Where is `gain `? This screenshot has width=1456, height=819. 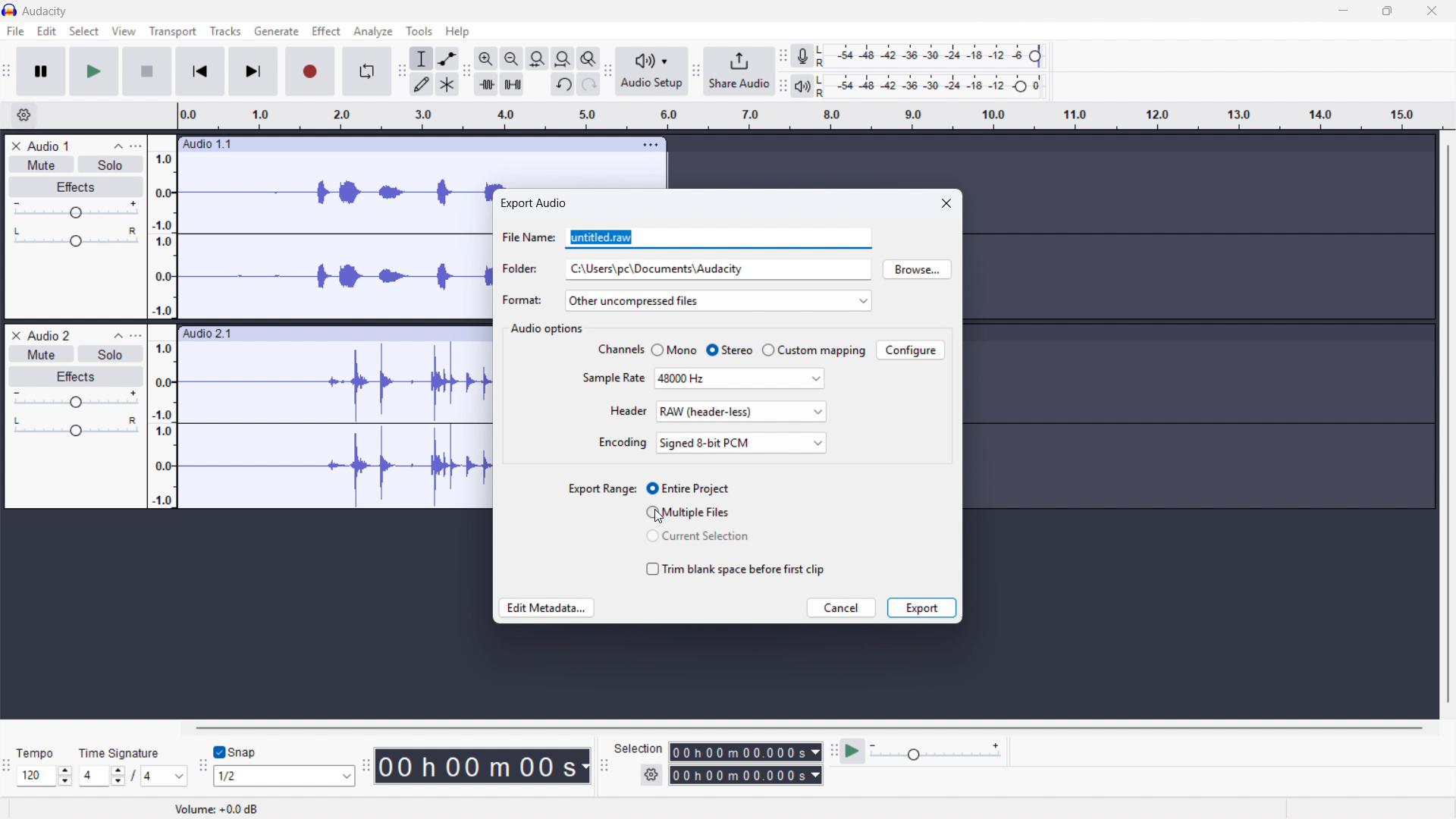
gain  is located at coordinates (76, 400).